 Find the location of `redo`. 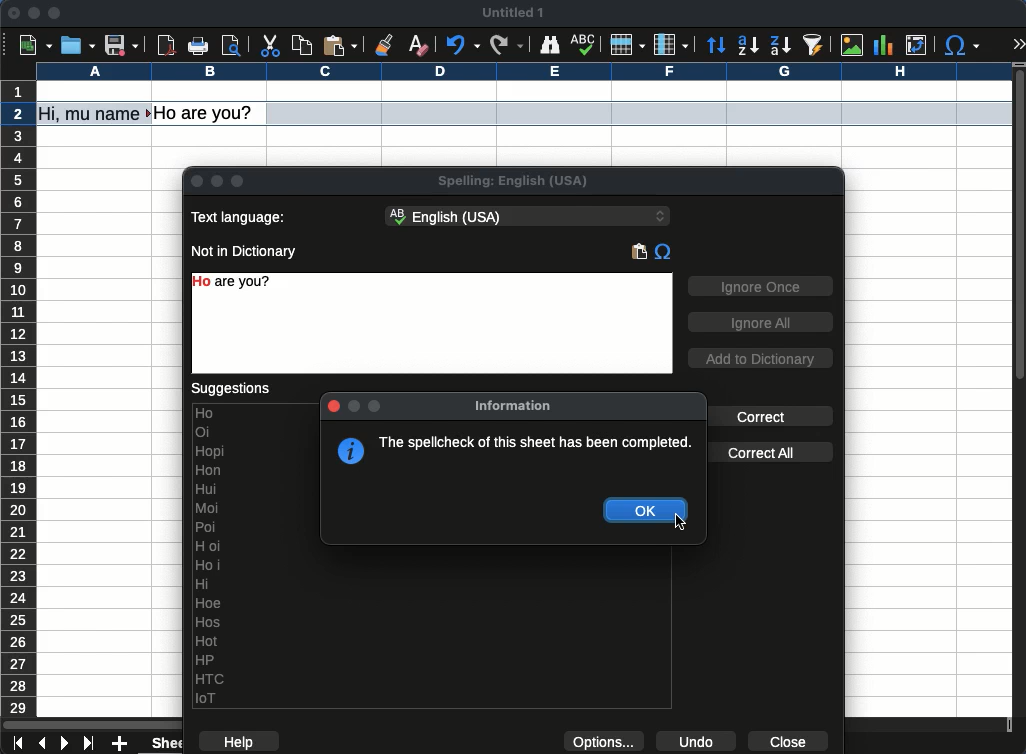

redo is located at coordinates (507, 46).